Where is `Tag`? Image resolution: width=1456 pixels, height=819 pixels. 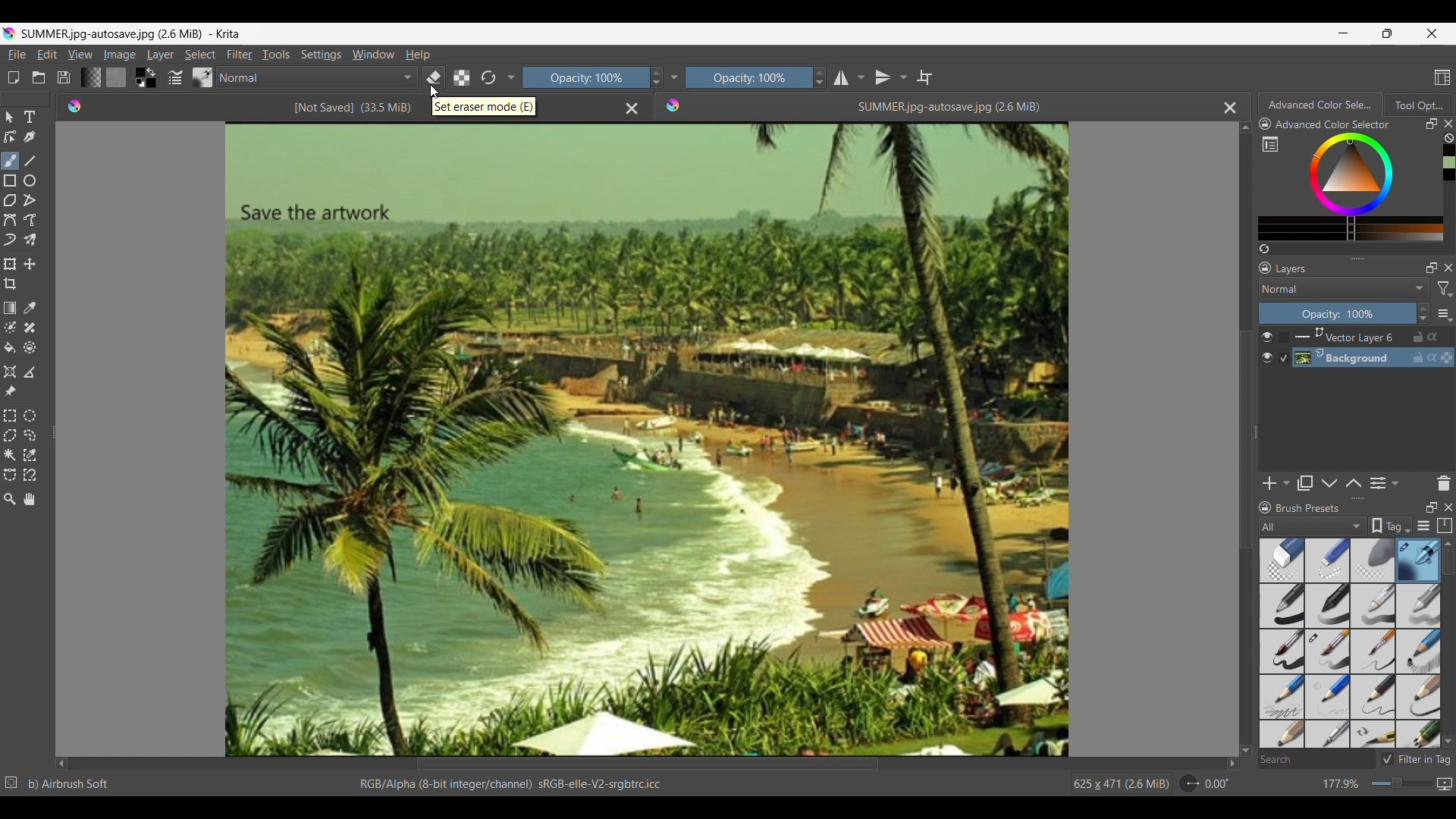 Tag is located at coordinates (1390, 526).